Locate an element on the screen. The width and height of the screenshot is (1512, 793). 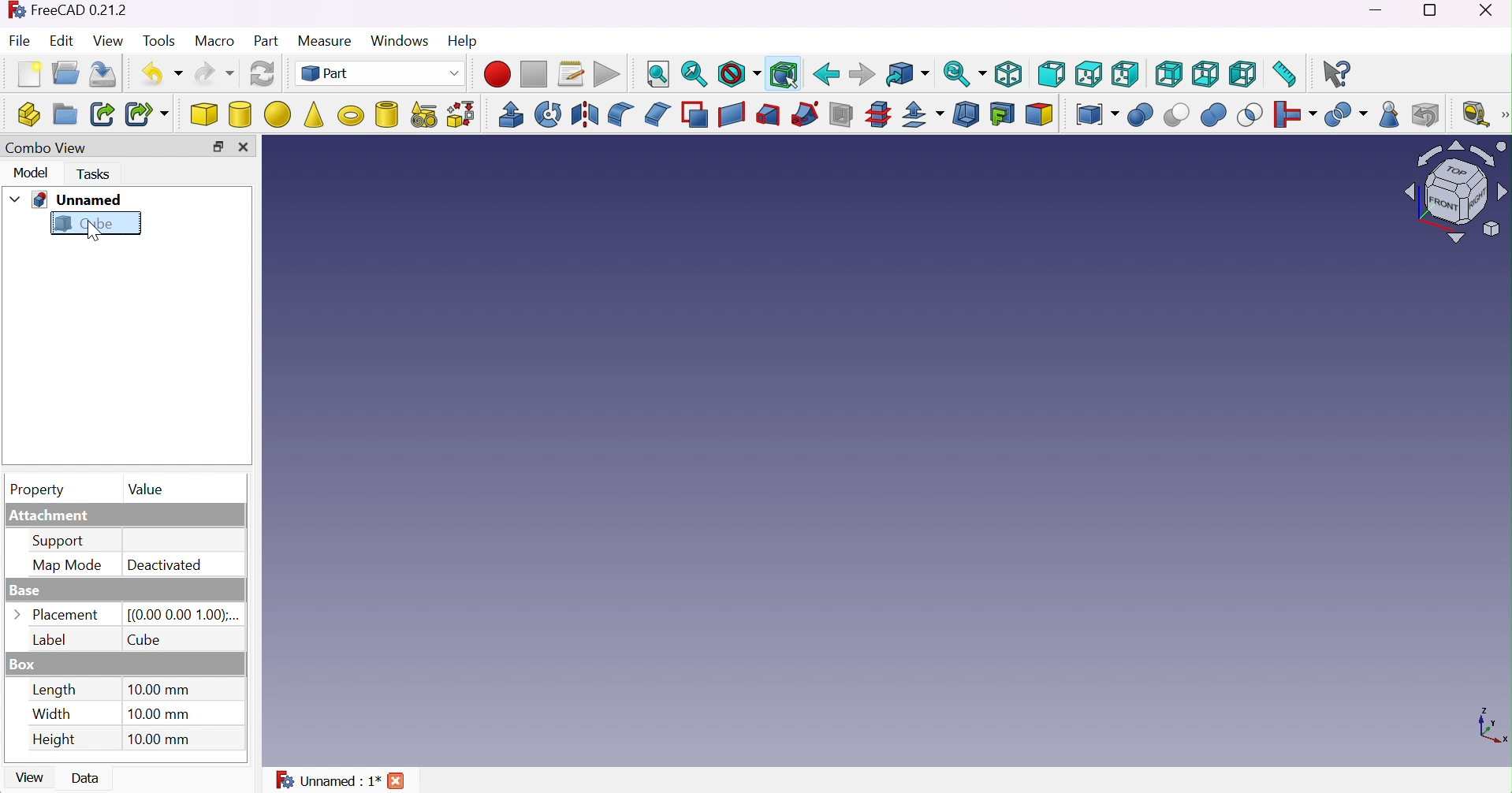
Right is located at coordinates (1125, 74).